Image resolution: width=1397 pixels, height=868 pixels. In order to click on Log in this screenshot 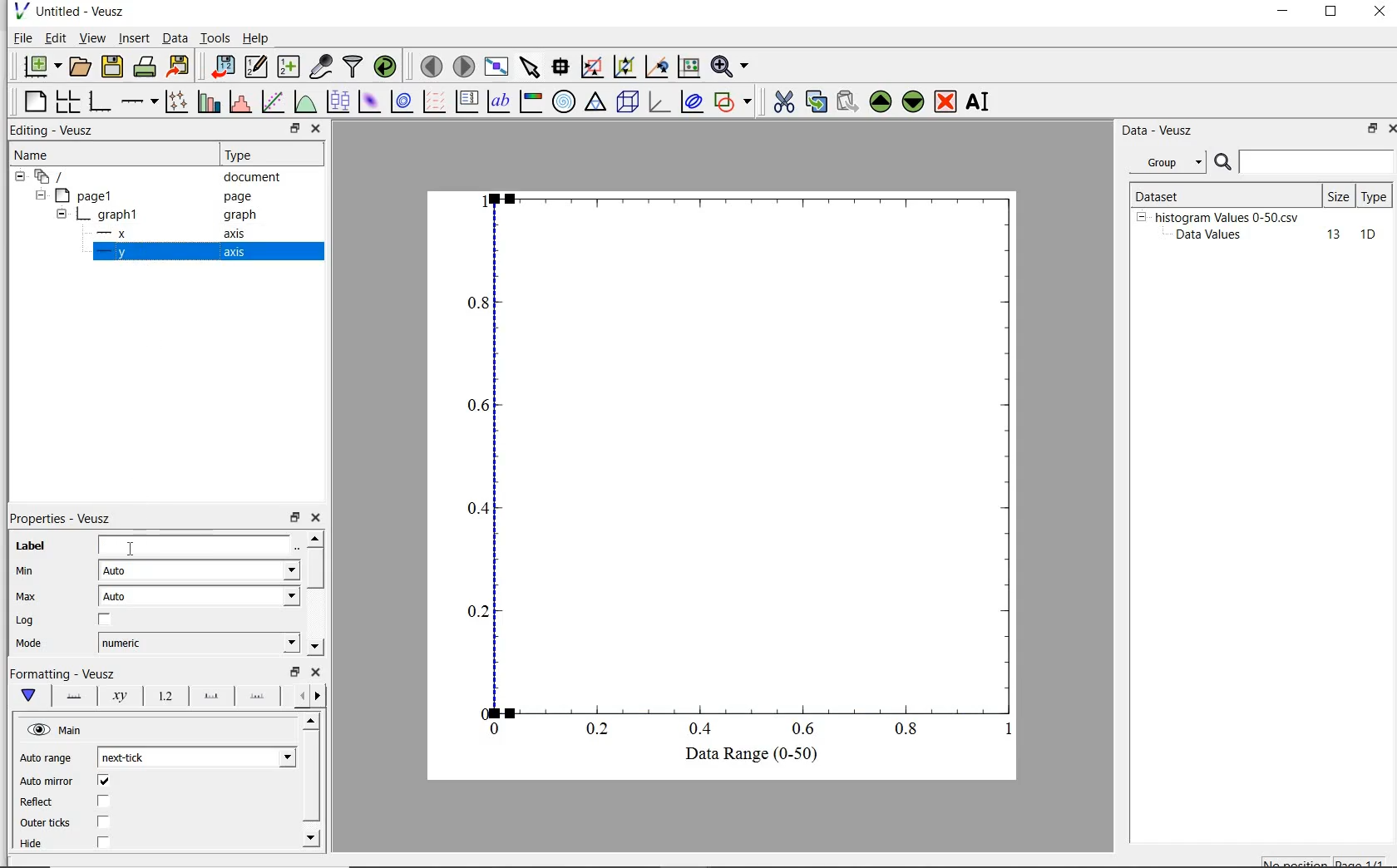, I will do `click(24, 621)`.